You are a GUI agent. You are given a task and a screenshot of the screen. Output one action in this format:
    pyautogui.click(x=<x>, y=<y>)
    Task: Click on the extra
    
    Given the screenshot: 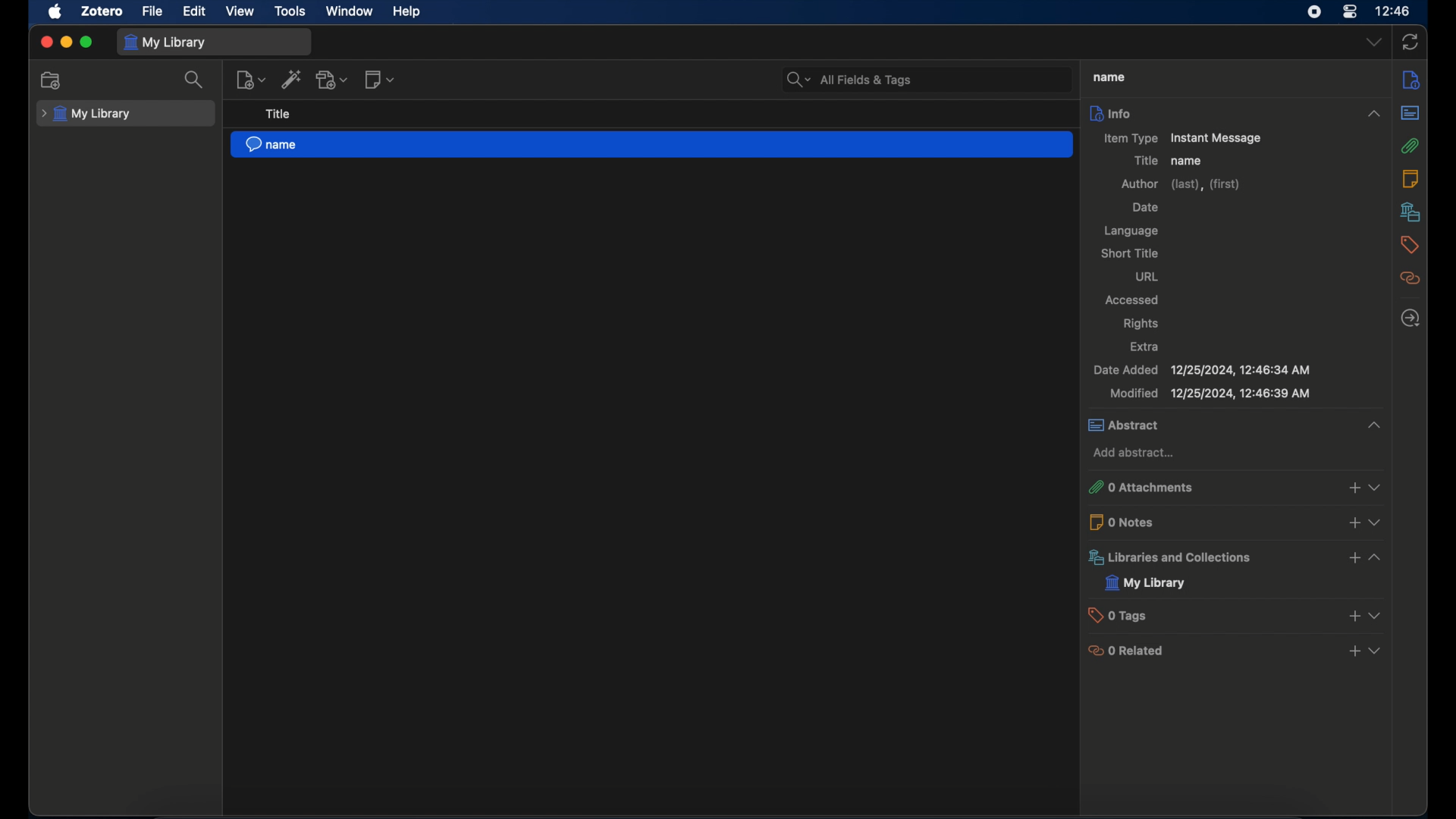 What is the action you would take?
    pyautogui.click(x=1145, y=347)
    